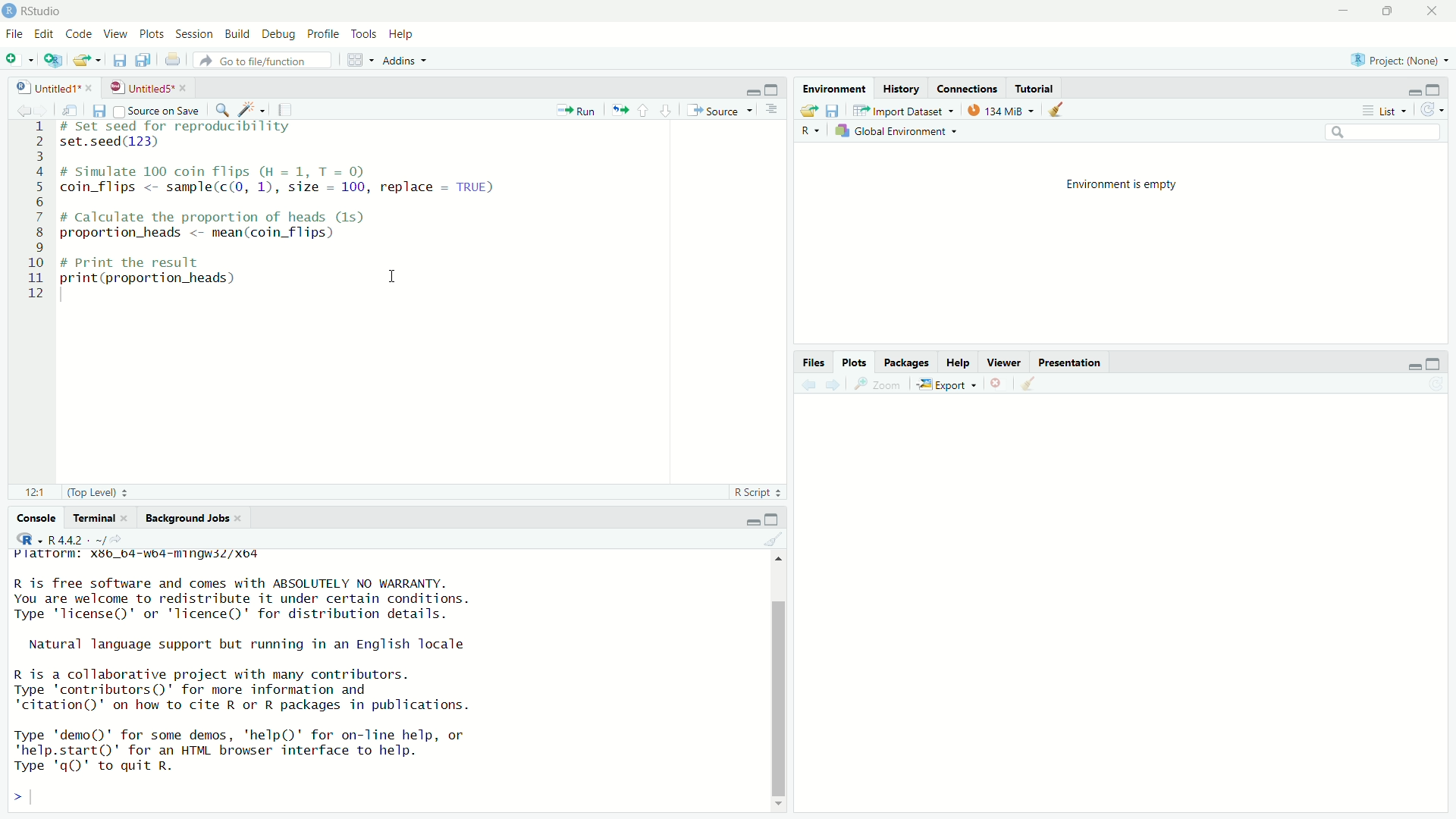  Describe the element at coordinates (93, 519) in the screenshot. I see `terminal` at that location.